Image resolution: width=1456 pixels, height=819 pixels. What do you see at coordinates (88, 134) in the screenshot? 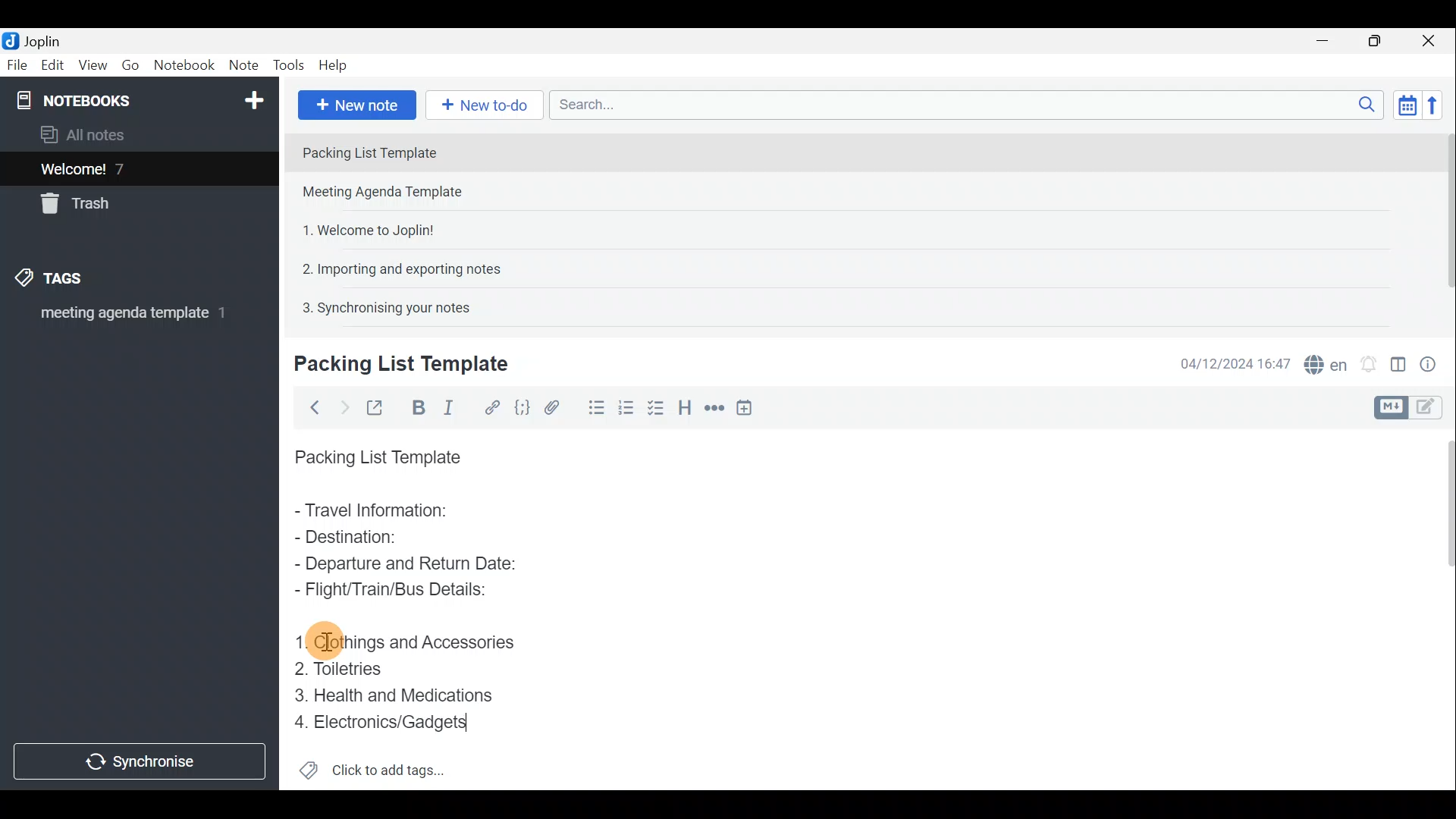
I see `All notes` at bounding box center [88, 134].